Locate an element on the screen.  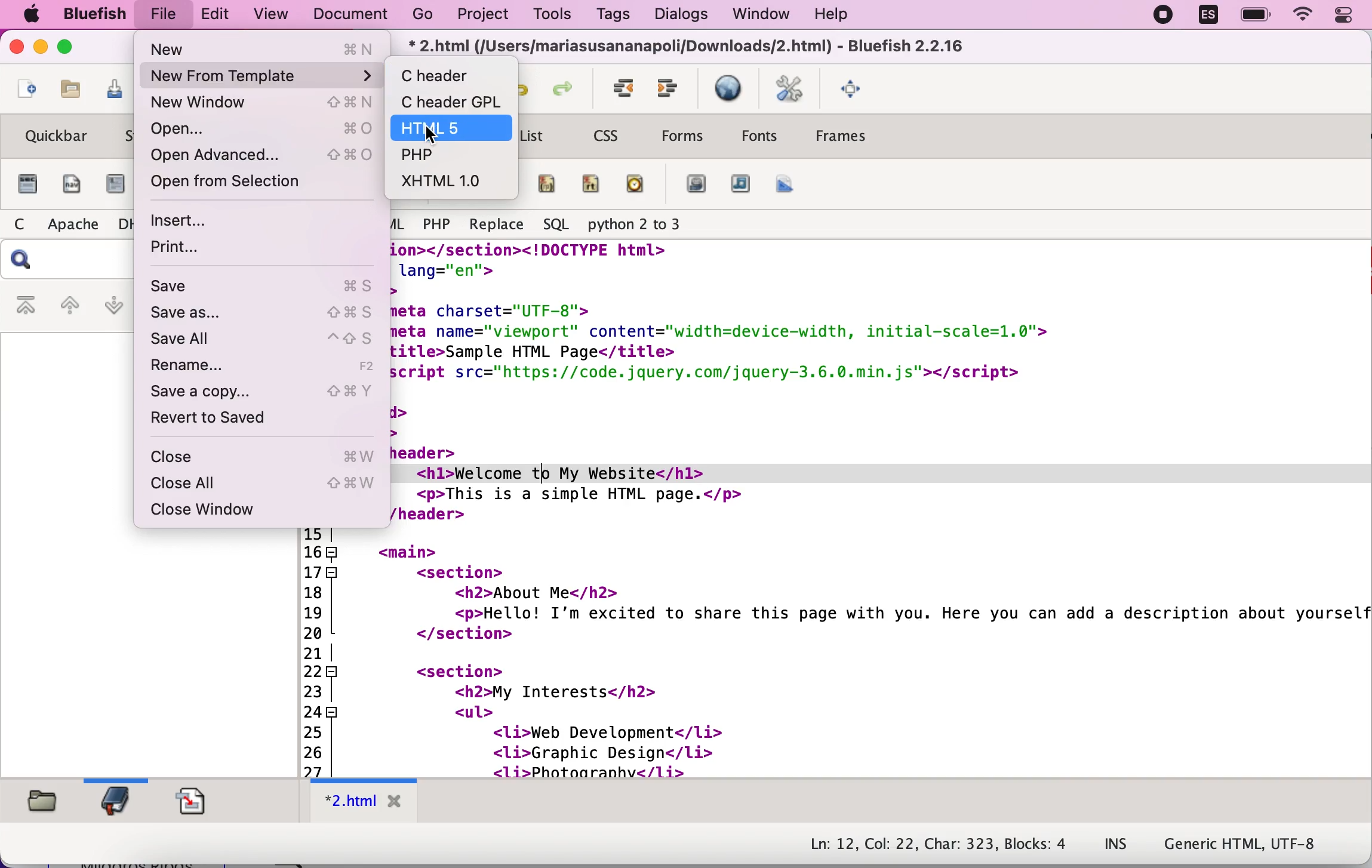
preview in browser is located at coordinates (729, 90).